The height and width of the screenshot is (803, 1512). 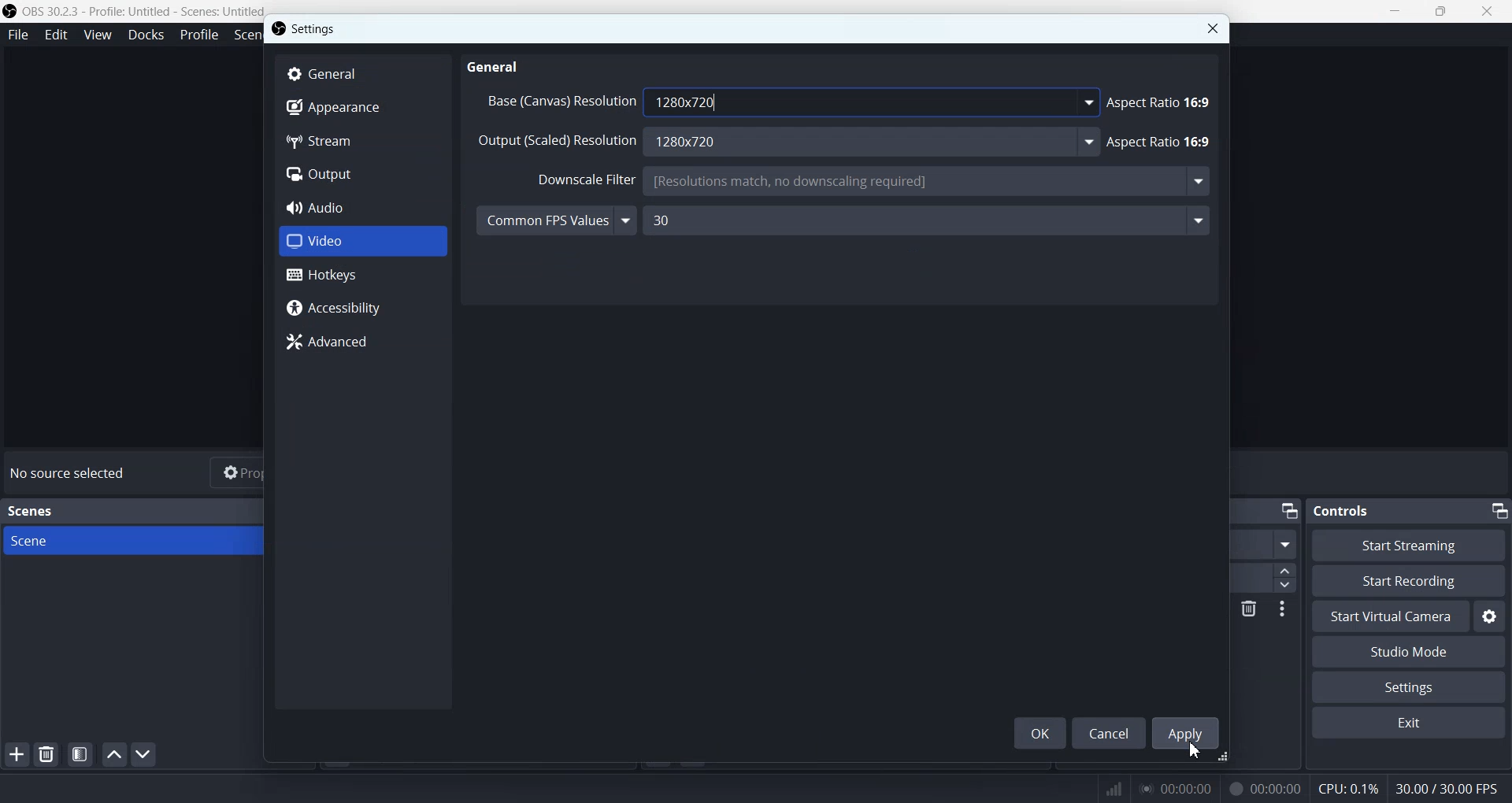 What do you see at coordinates (1345, 788) in the screenshot?
I see `CPU: 0.1%` at bounding box center [1345, 788].